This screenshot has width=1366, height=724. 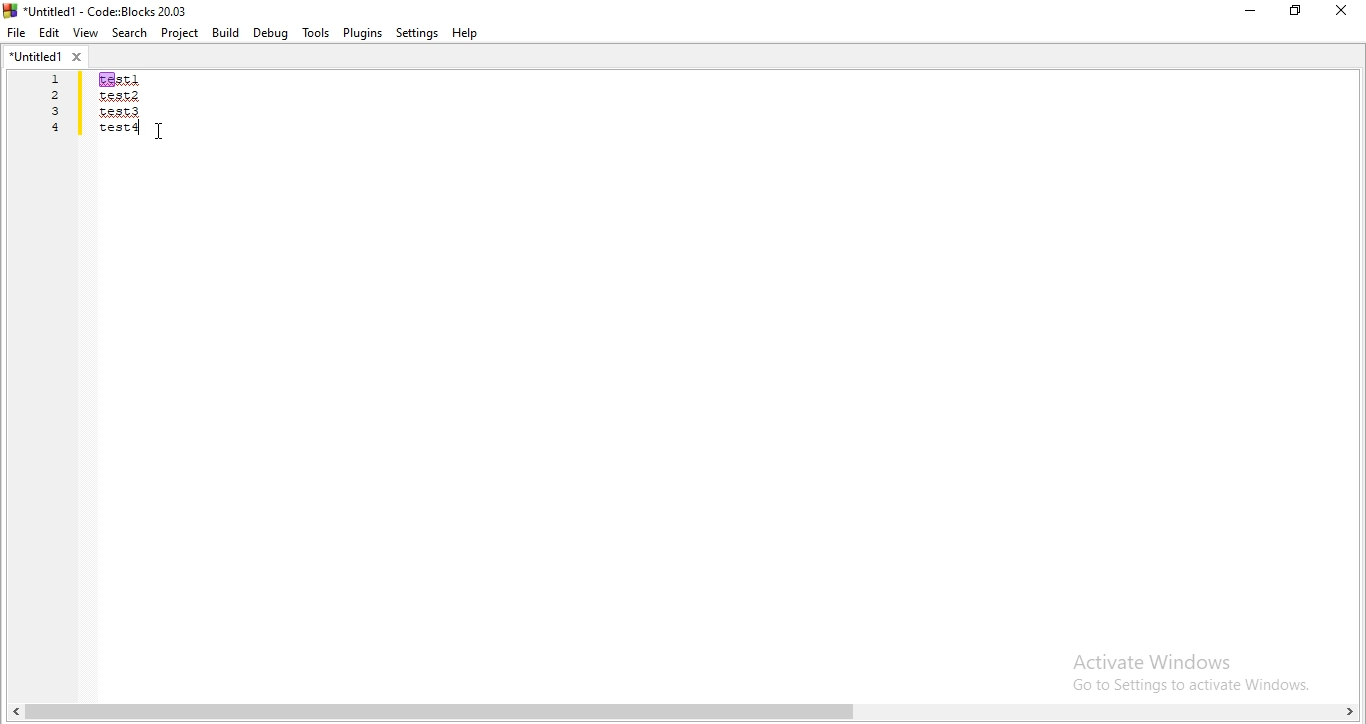 I want to click on Serial number 1, 2,3,4, so click(x=55, y=107).